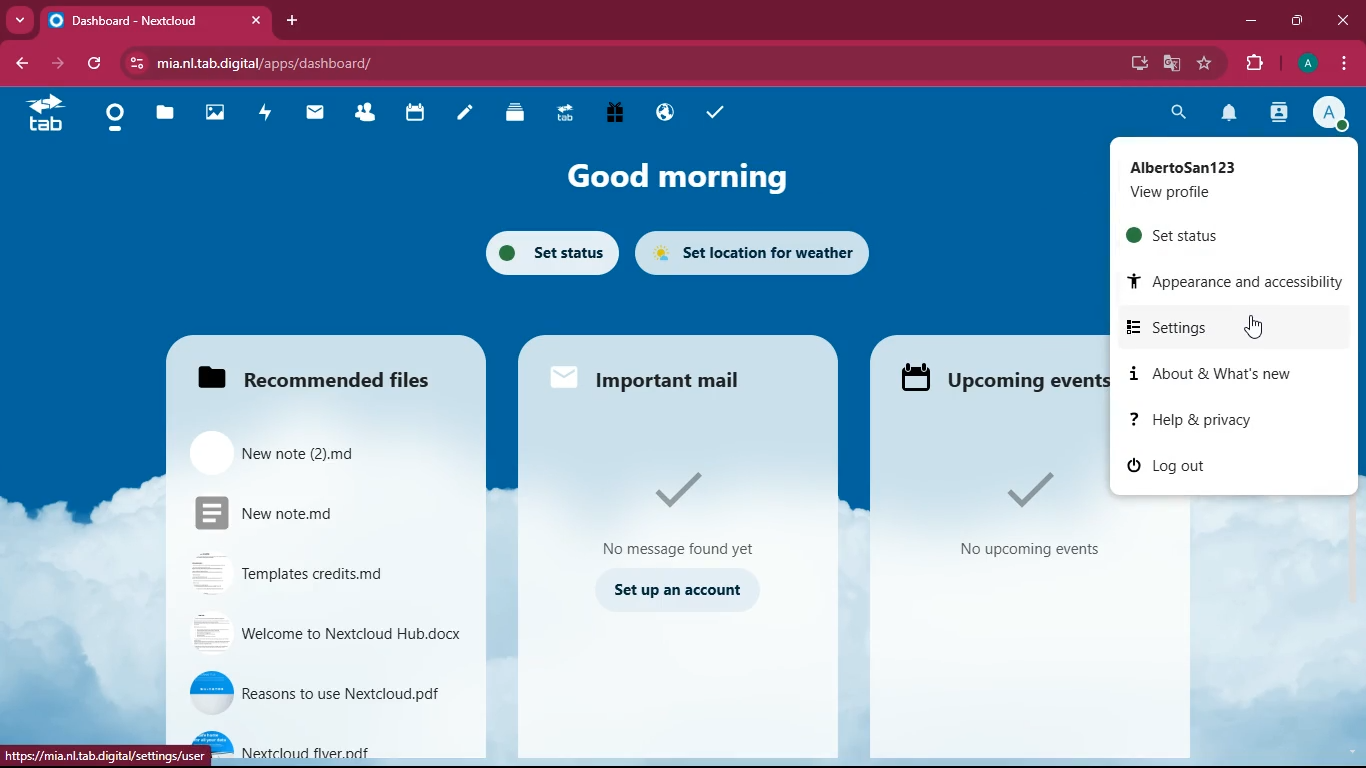  Describe the element at coordinates (1226, 420) in the screenshot. I see `help & privacy` at that location.